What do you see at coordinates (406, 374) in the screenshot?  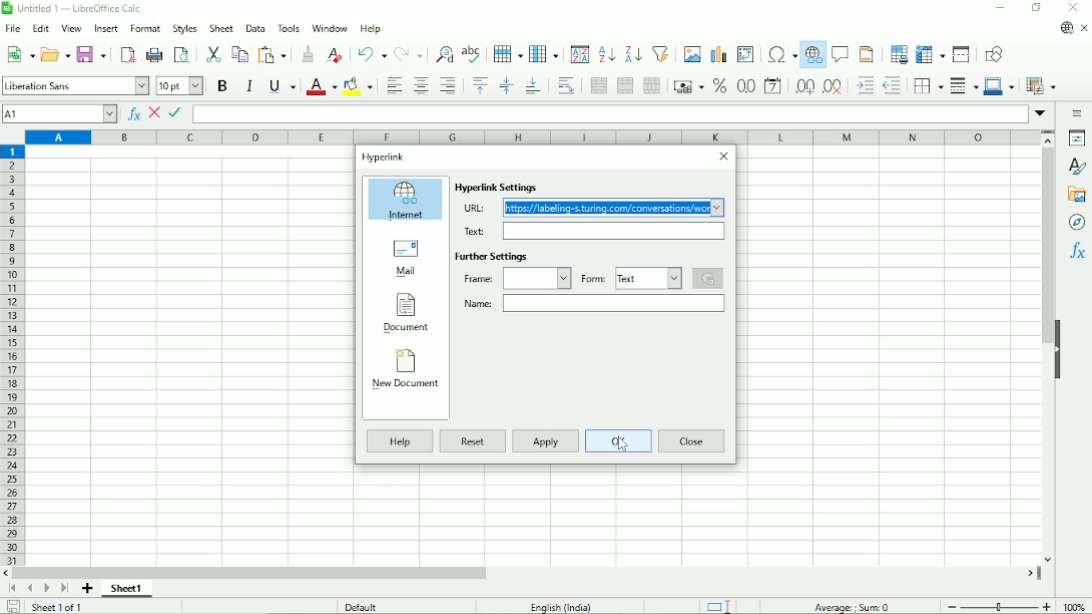 I see `New document` at bounding box center [406, 374].